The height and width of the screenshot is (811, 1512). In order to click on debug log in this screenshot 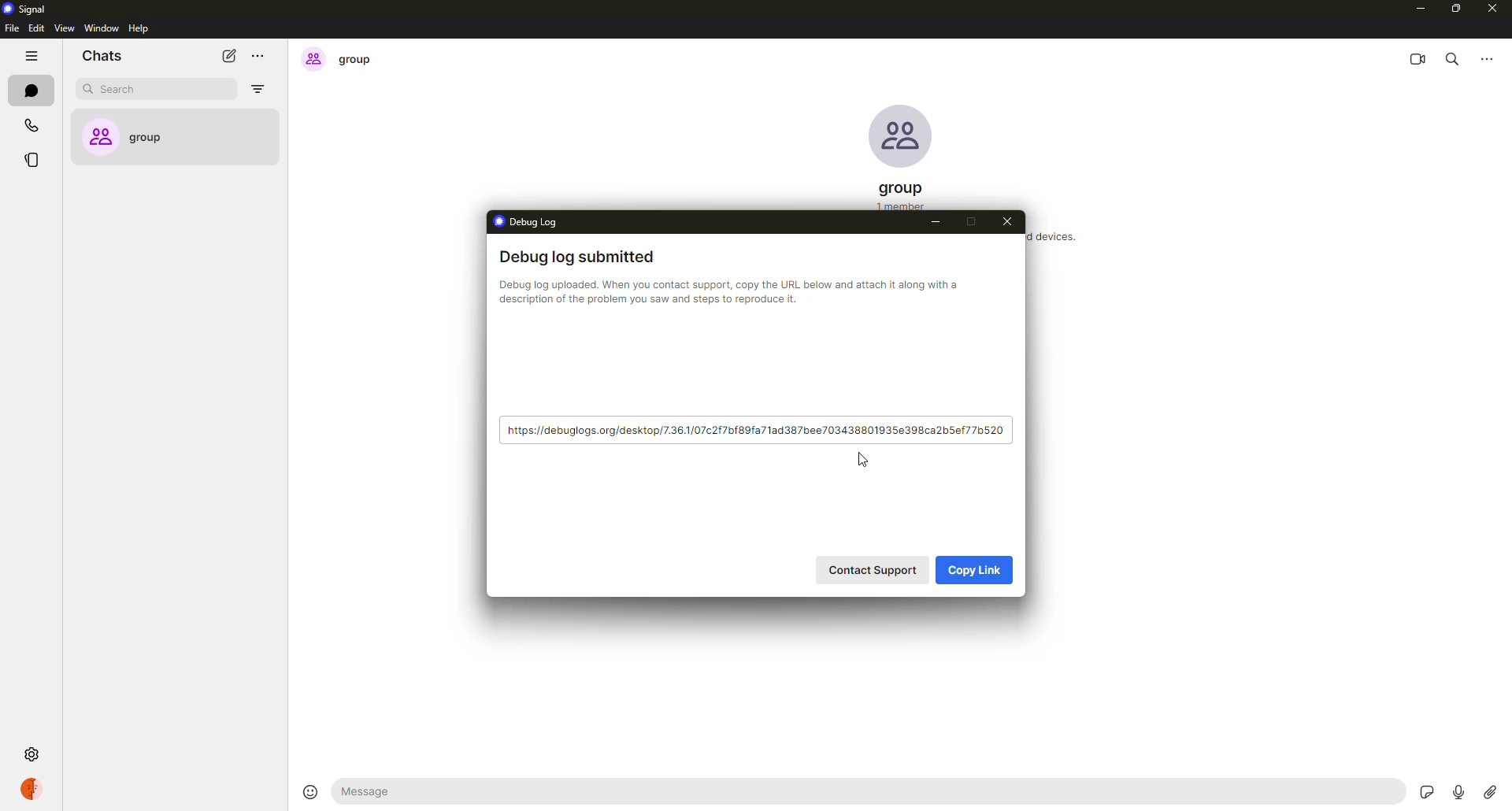, I will do `click(527, 220)`.